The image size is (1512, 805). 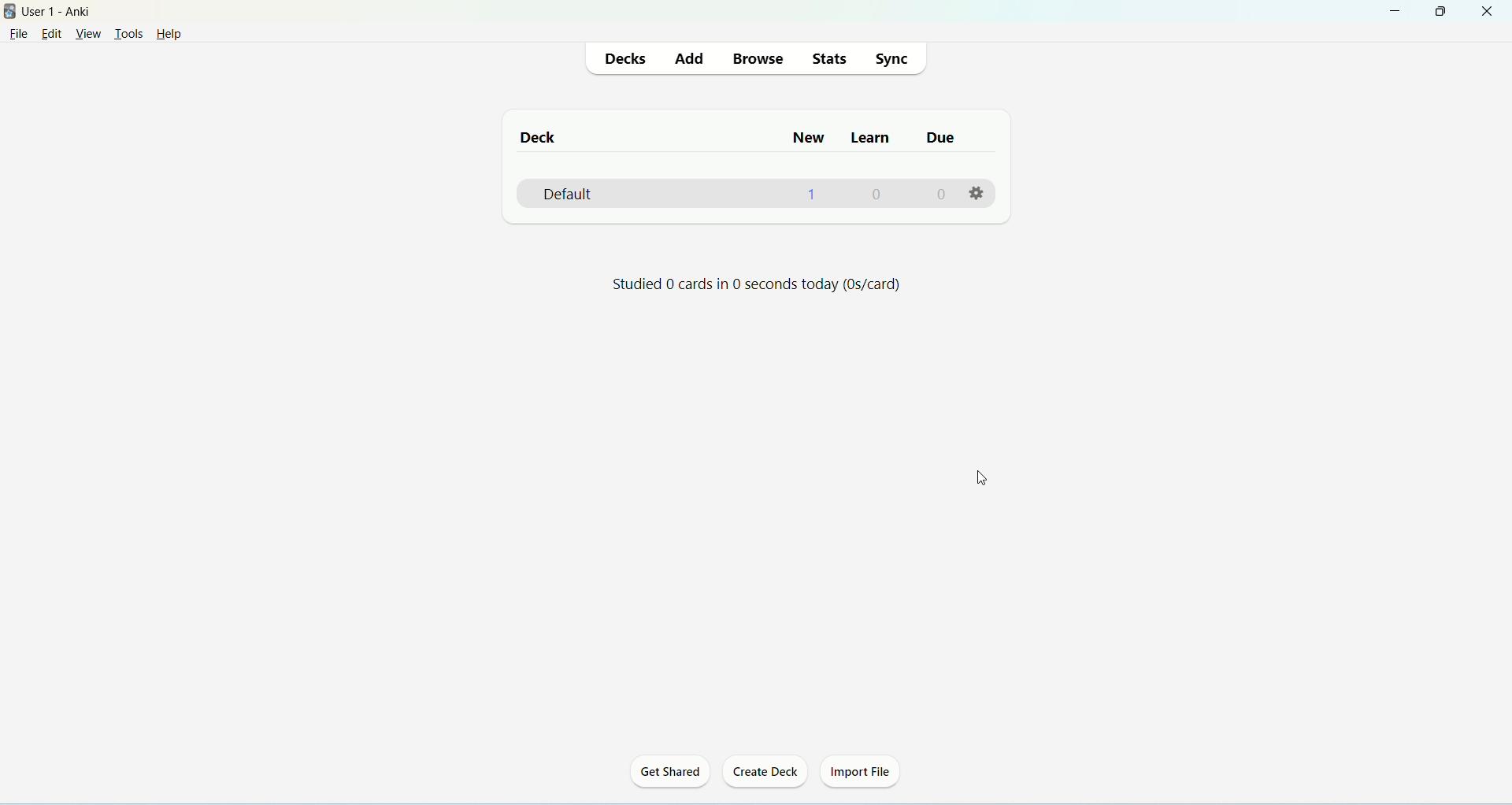 I want to click on due, so click(x=944, y=141).